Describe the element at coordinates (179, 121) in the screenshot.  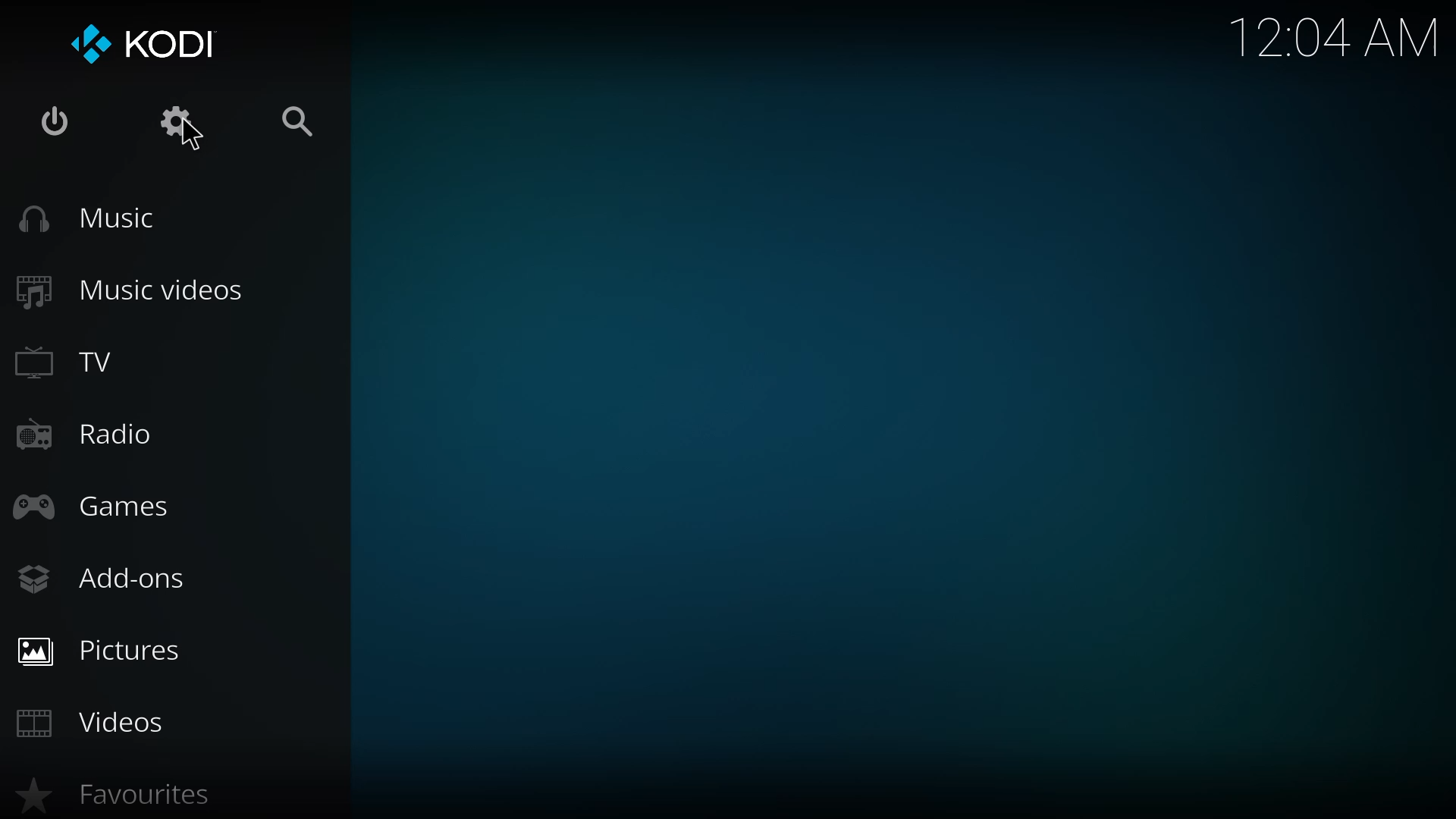
I see `settings` at that location.